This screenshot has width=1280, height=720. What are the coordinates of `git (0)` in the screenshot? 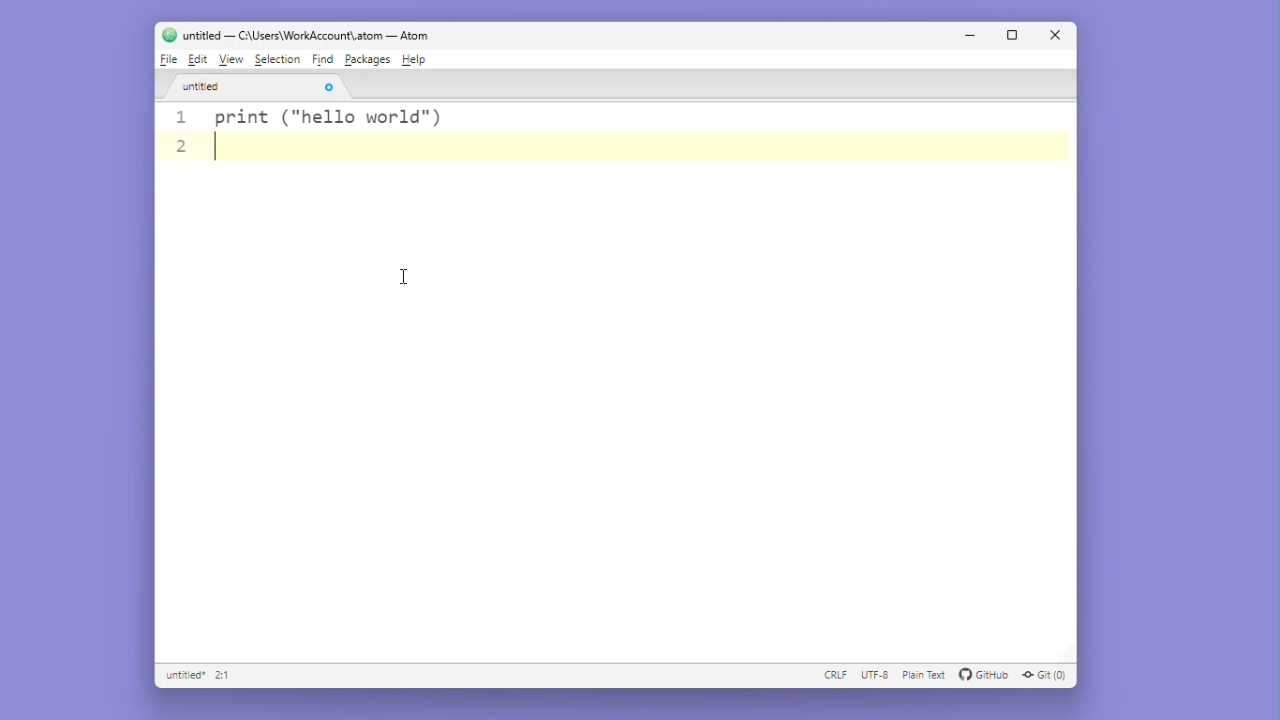 It's located at (1050, 675).